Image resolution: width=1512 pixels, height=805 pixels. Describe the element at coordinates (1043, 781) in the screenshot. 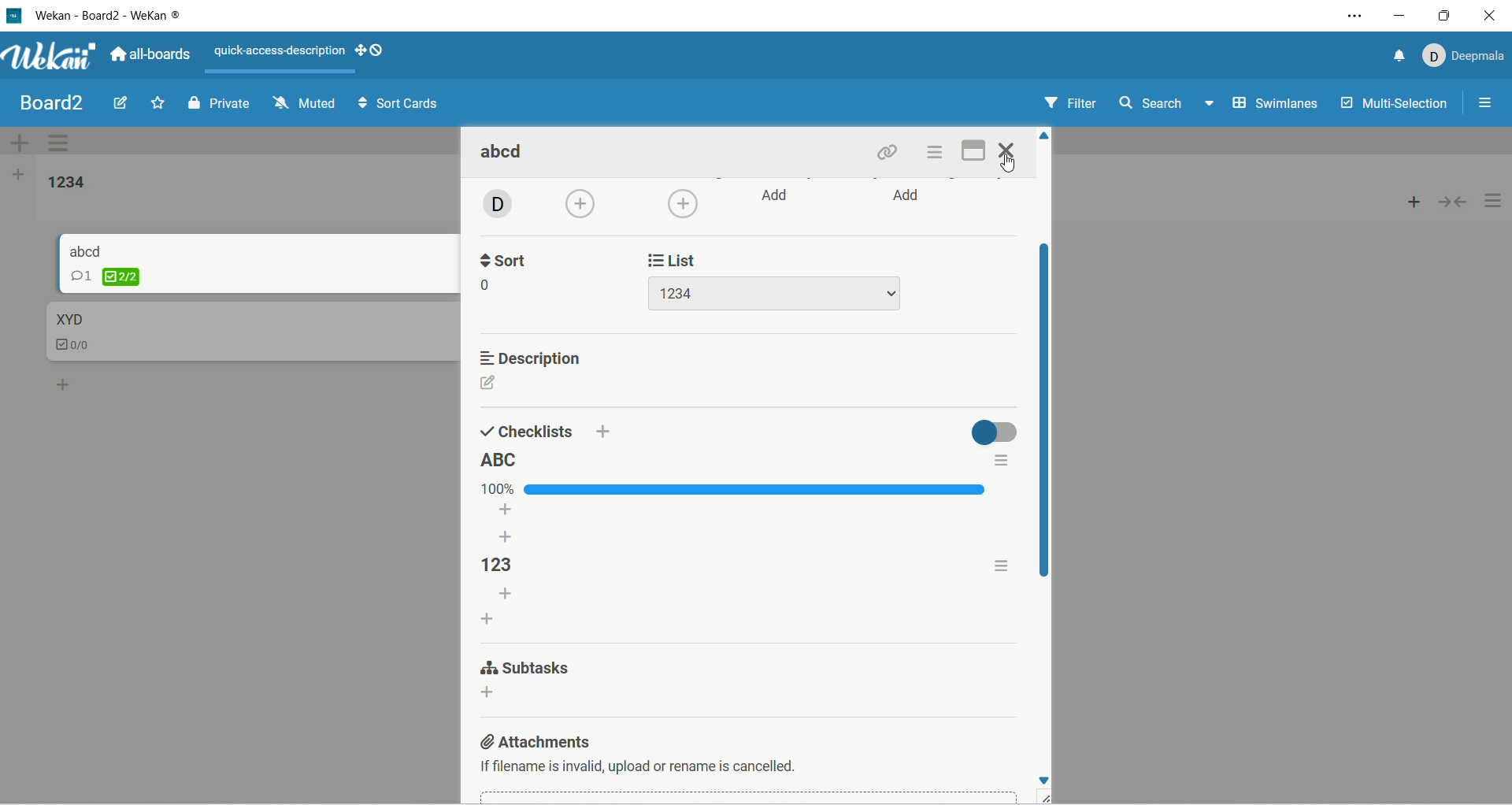

I see `Down` at that location.